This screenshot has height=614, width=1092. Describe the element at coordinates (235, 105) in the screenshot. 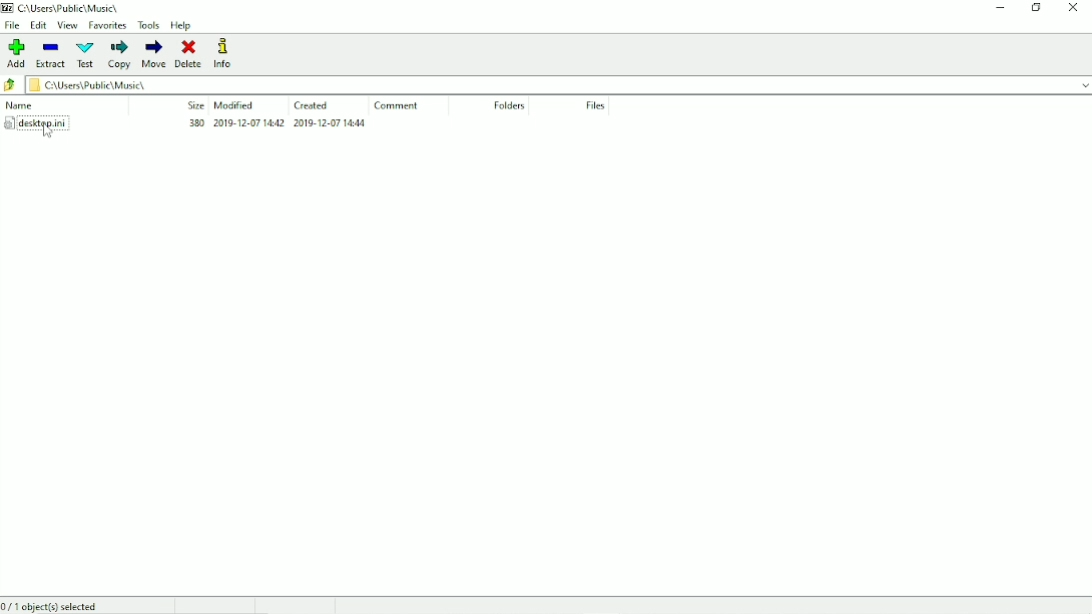

I see `Modified` at that location.